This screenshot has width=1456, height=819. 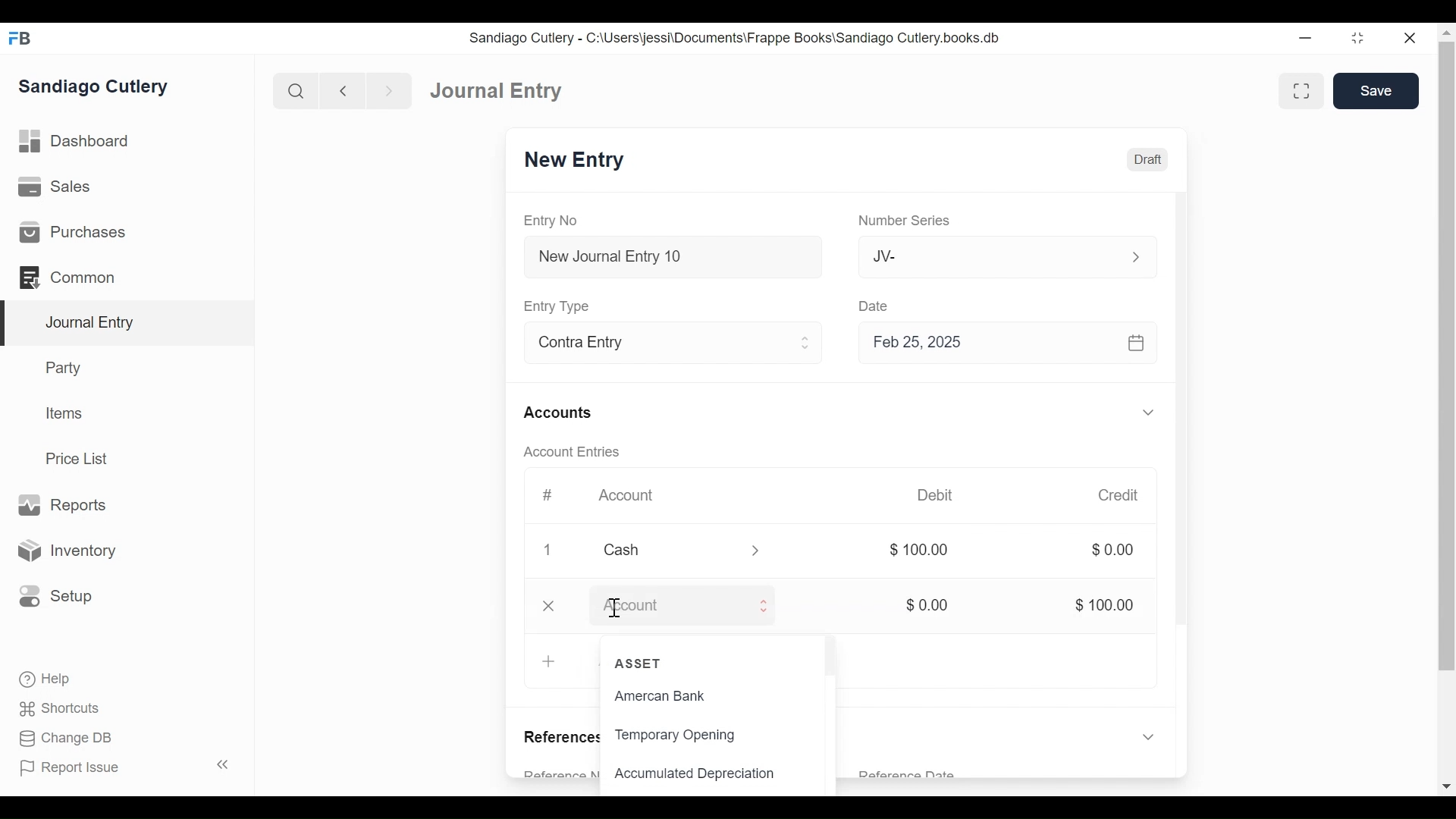 What do you see at coordinates (80, 458) in the screenshot?
I see `Price List` at bounding box center [80, 458].